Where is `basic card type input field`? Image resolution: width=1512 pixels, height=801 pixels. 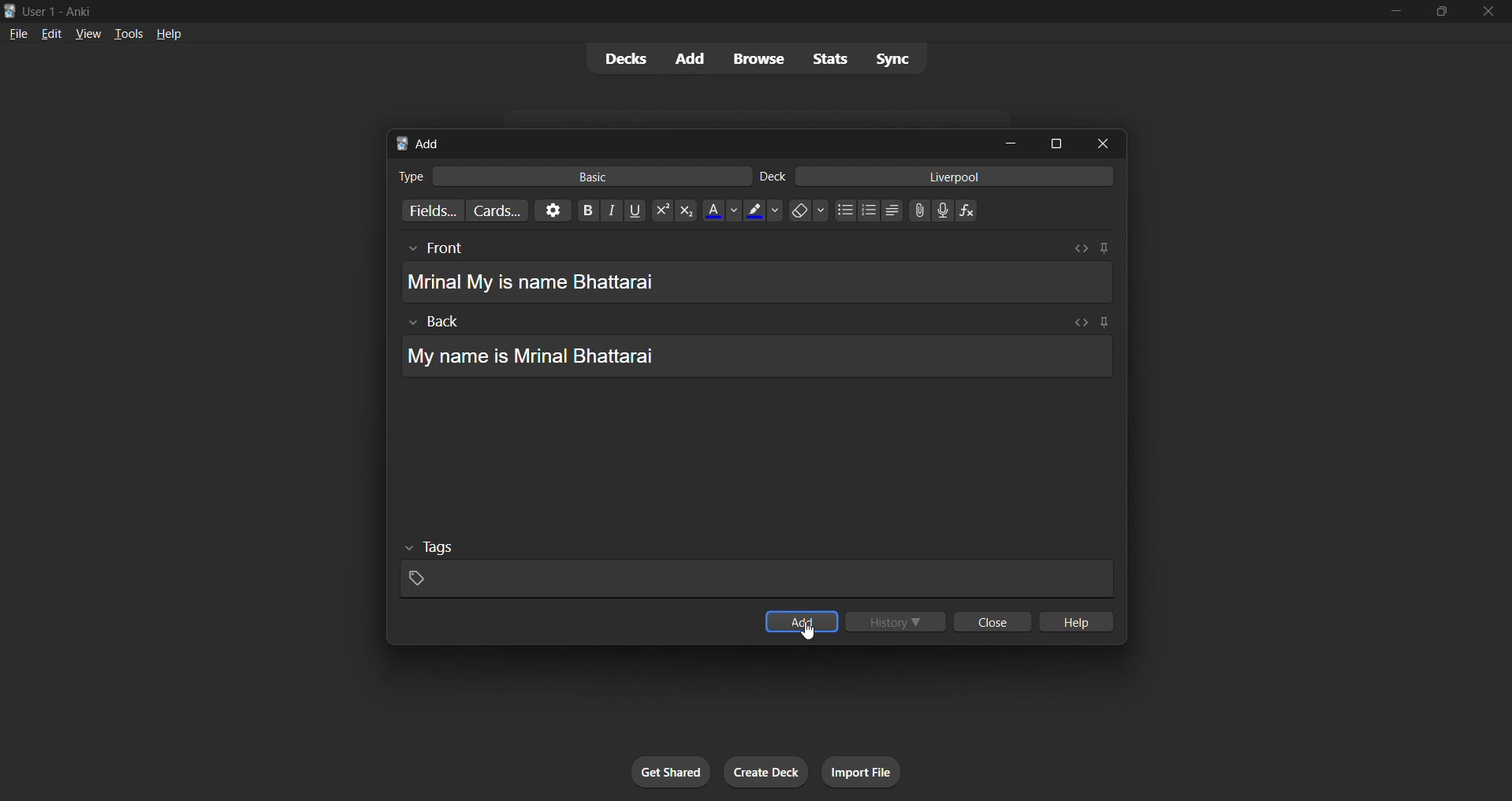 basic card type input field is located at coordinates (572, 174).